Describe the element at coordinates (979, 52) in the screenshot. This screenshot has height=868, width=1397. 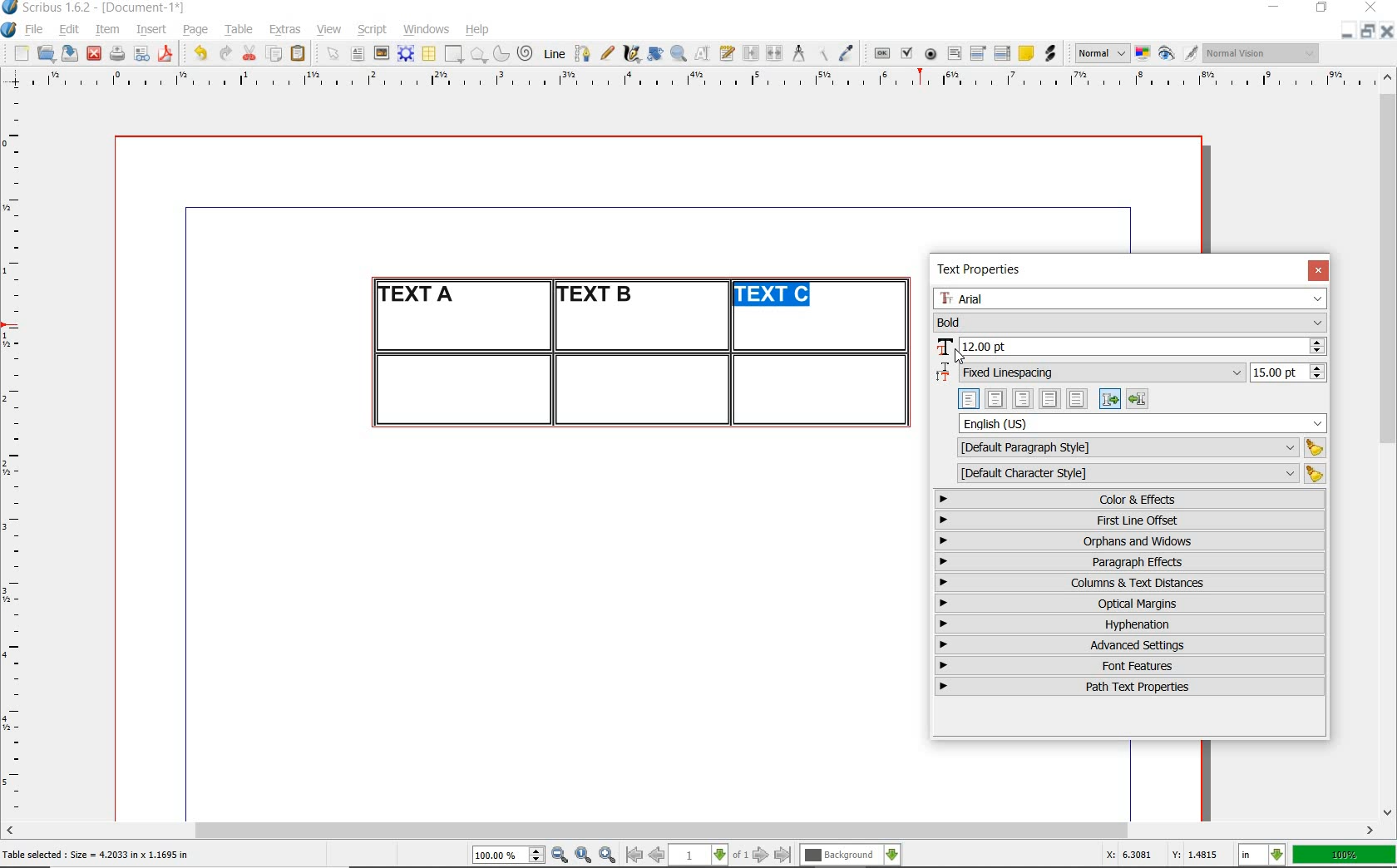
I see `pdf combo box` at that location.